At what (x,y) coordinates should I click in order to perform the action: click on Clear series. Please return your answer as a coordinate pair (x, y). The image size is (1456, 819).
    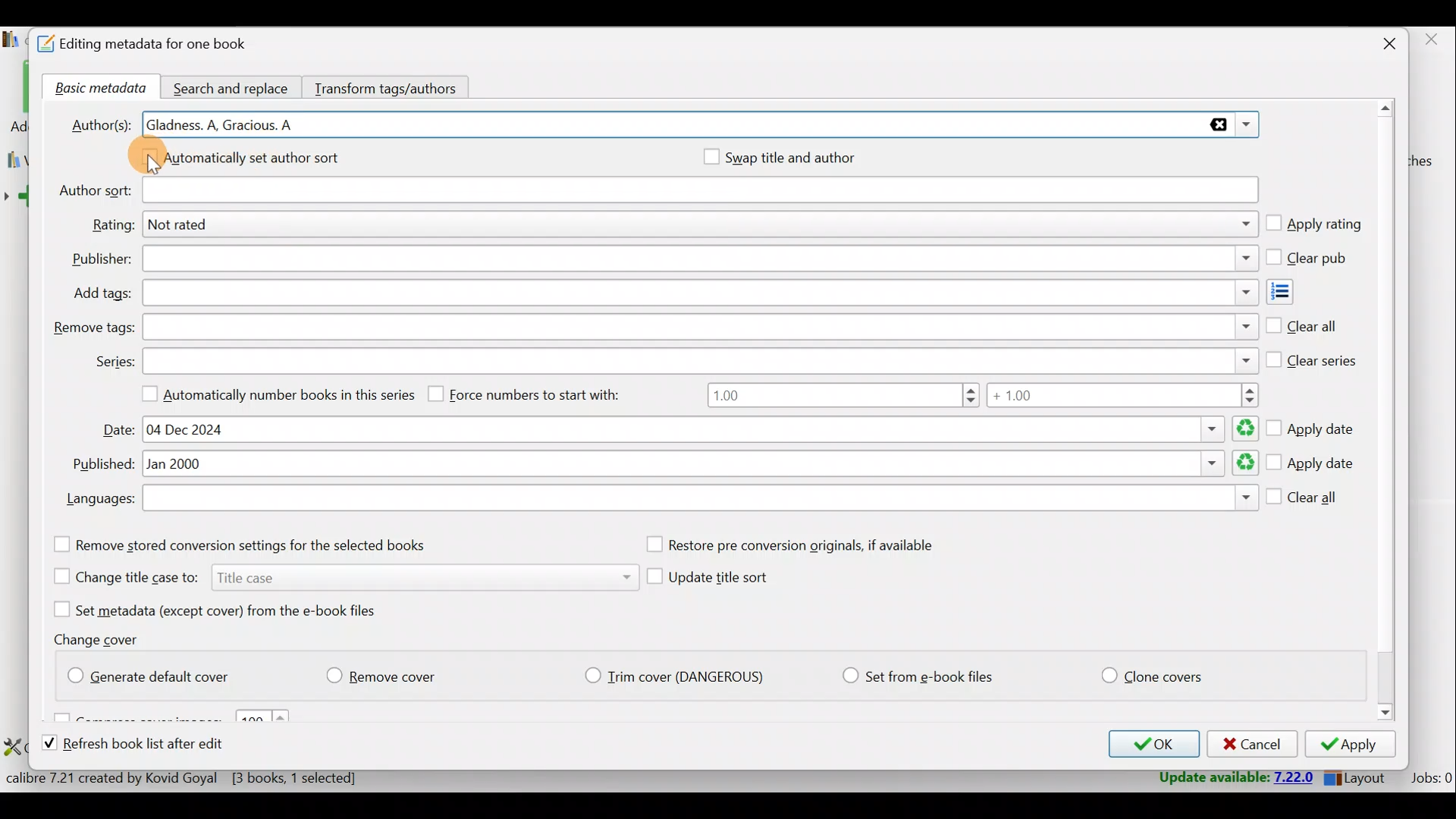
    Looking at the image, I should click on (1313, 357).